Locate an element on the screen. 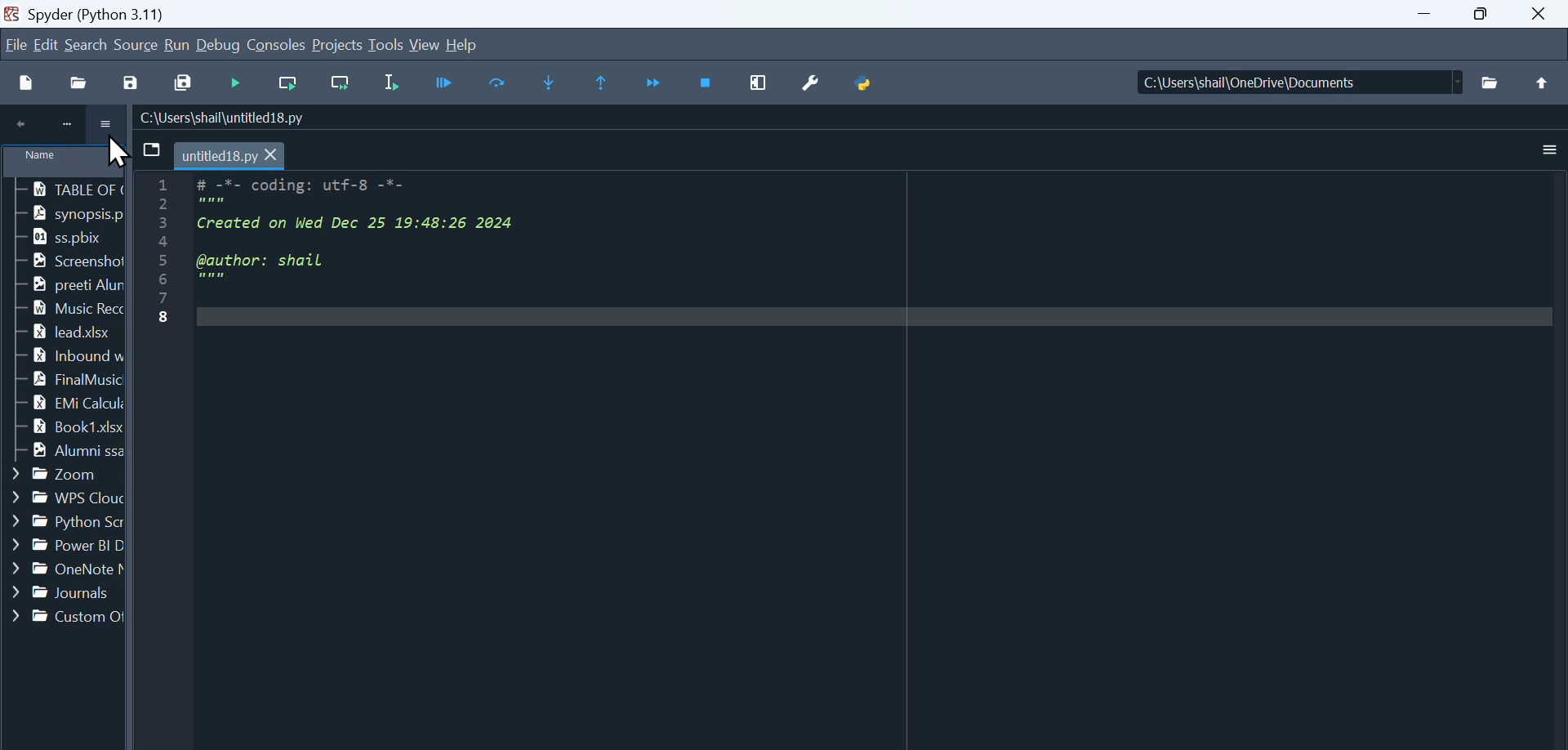  Help is located at coordinates (461, 42).